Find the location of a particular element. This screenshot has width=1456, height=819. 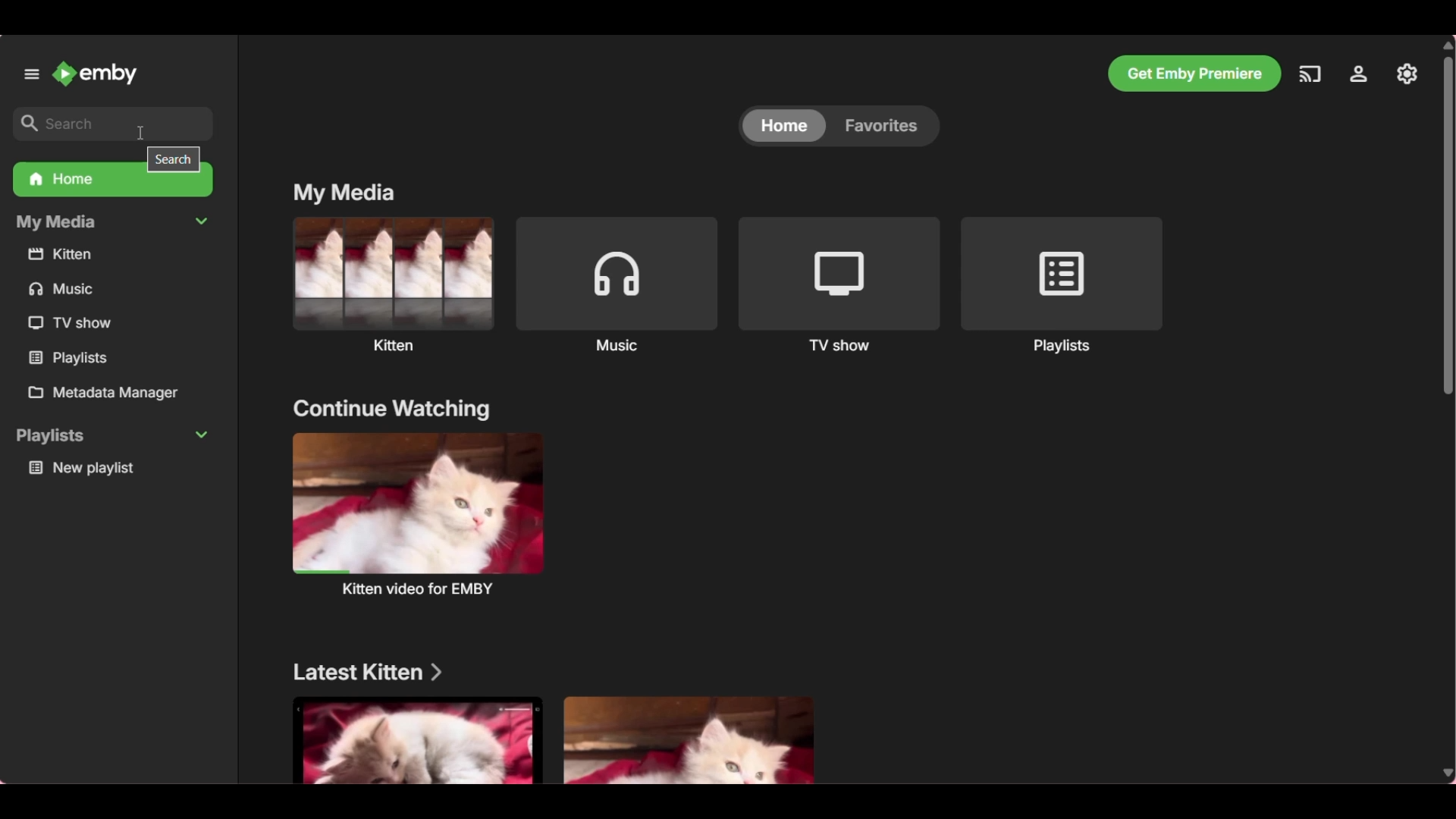

Vertical slide bar is located at coordinates (1449, 410).